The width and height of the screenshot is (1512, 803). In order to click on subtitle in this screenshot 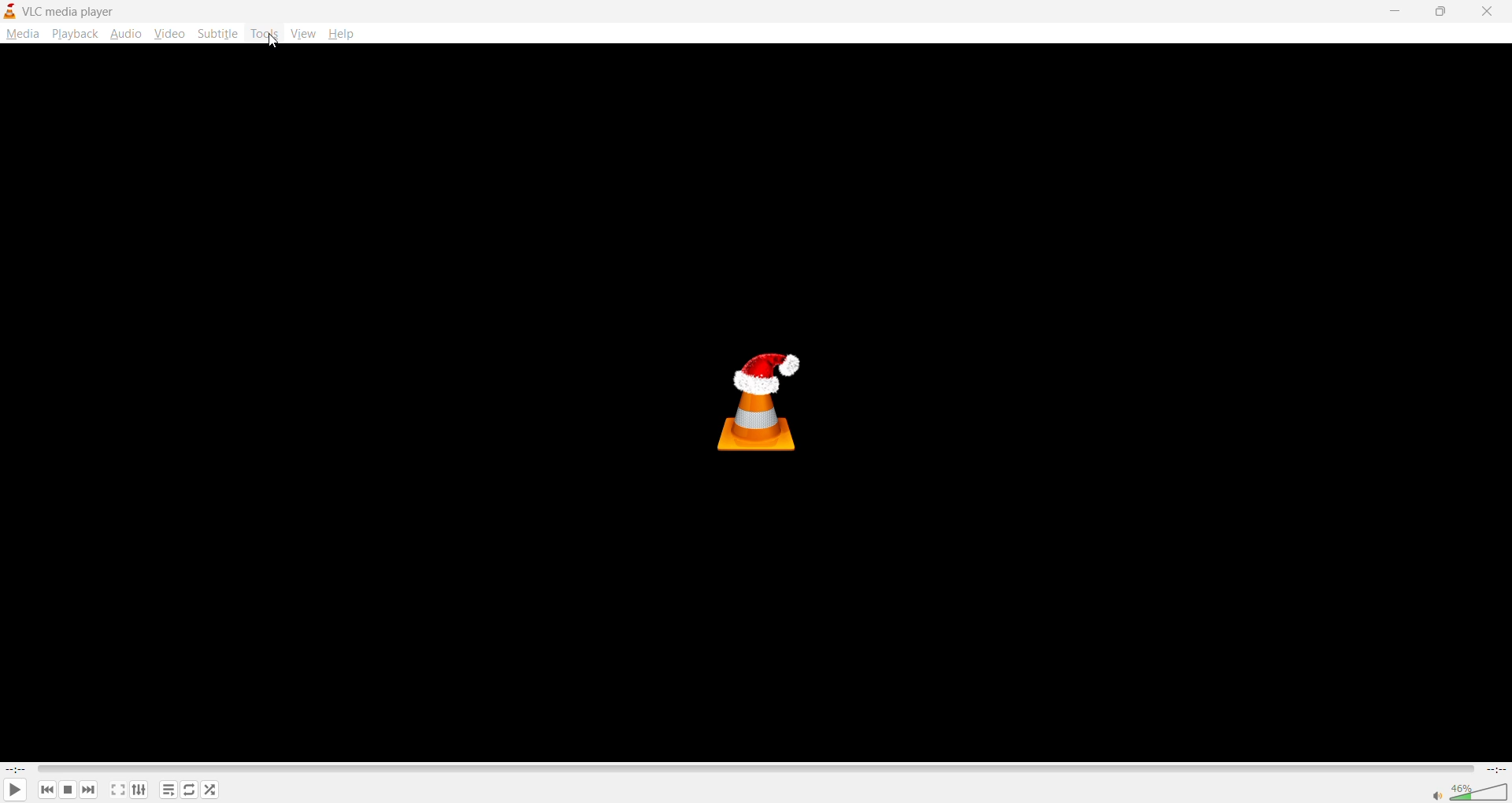, I will do `click(217, 34)`.